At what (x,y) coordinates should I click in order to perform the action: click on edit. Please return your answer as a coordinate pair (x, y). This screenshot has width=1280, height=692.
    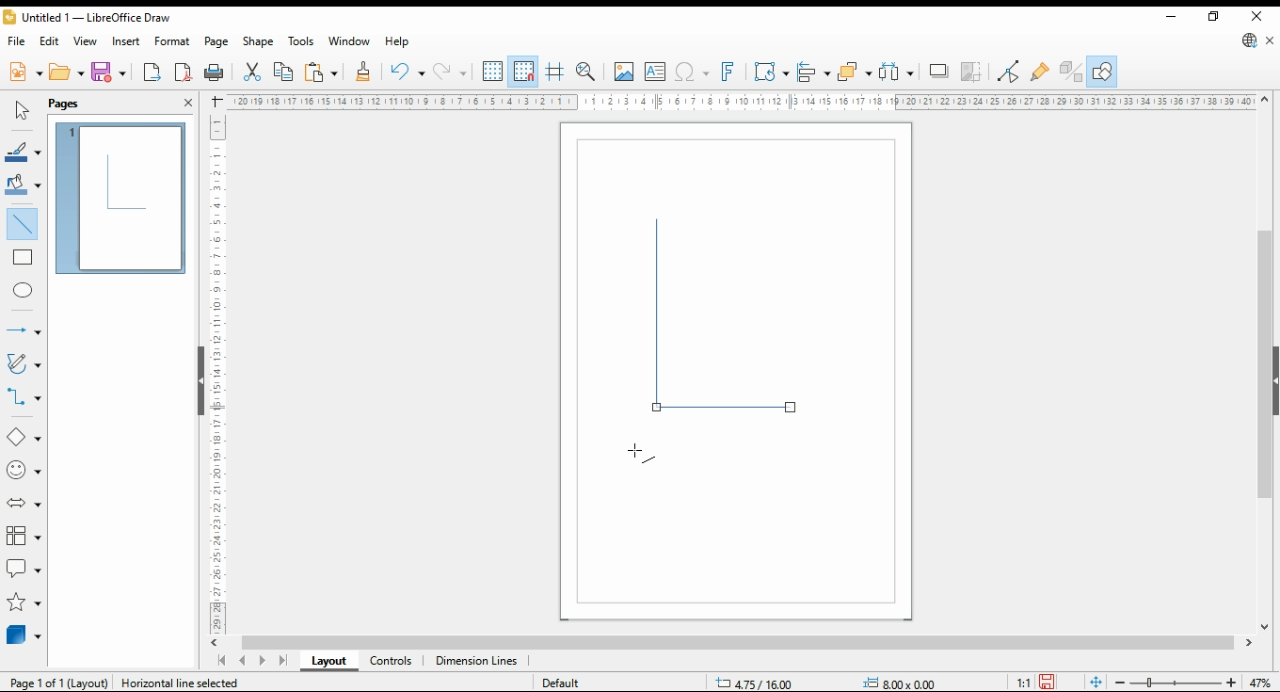
    Looking at the image, I should click on (52, 43).